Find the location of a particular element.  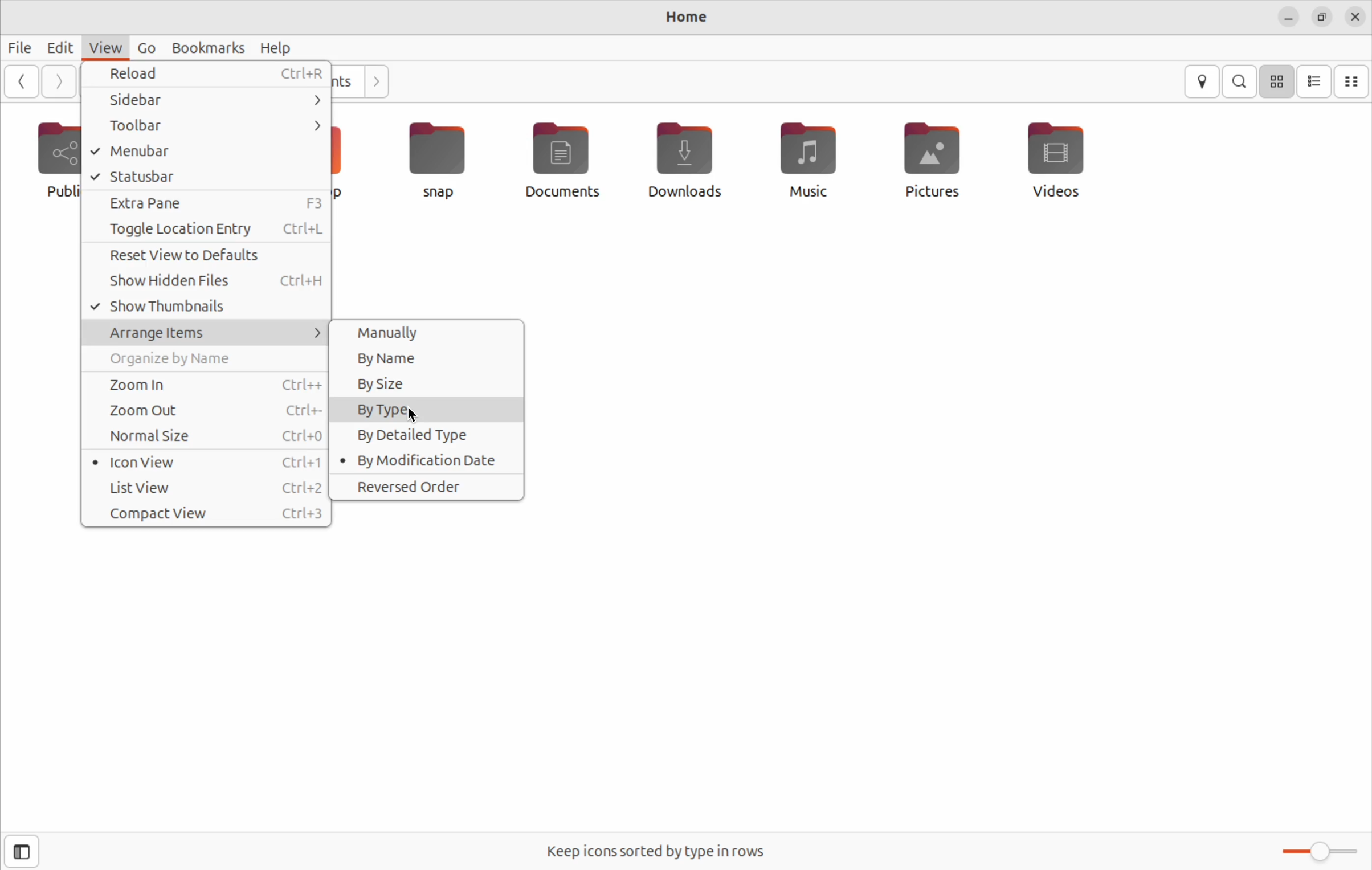

by modification date is located at coordinates (426, 461).